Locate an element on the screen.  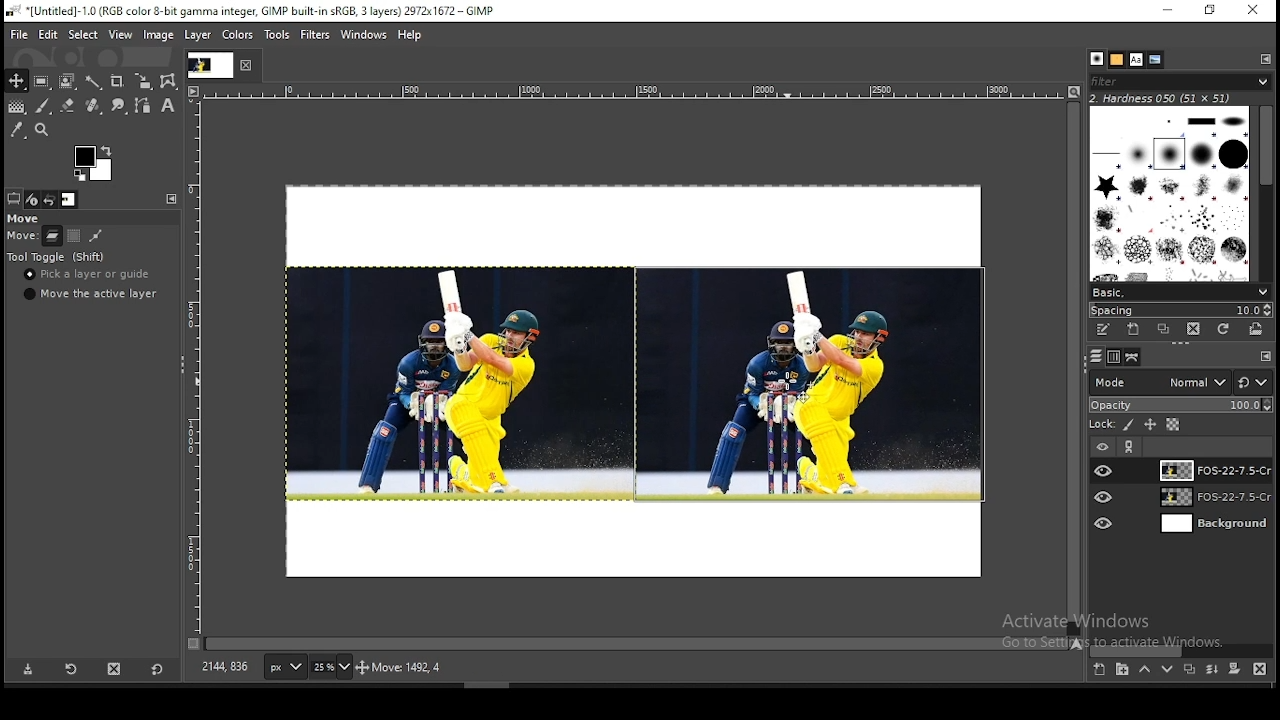
image is located at coordinates (159, 34).